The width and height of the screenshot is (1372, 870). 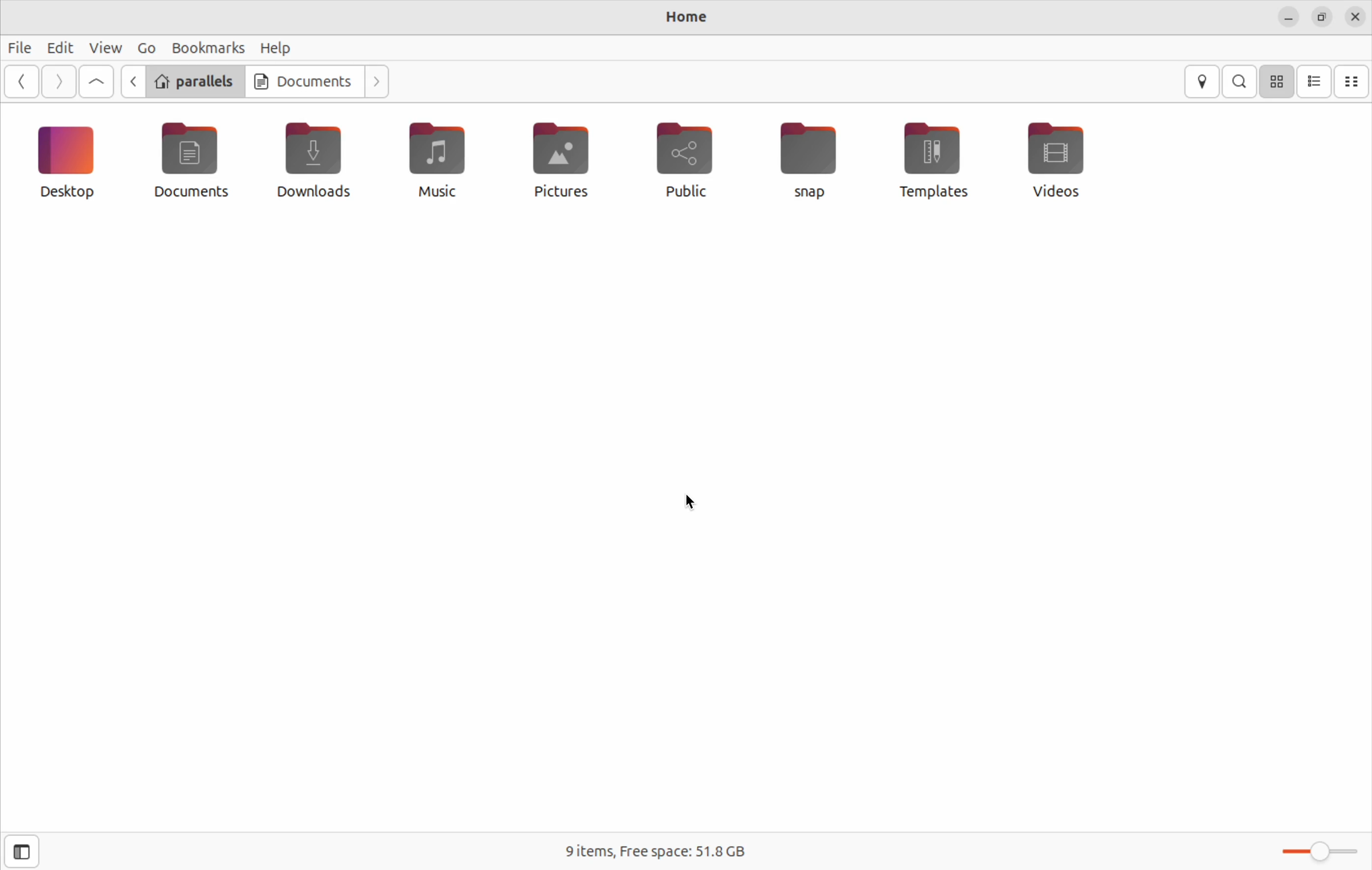 I want to click on templates, so click(x=934, y=160).